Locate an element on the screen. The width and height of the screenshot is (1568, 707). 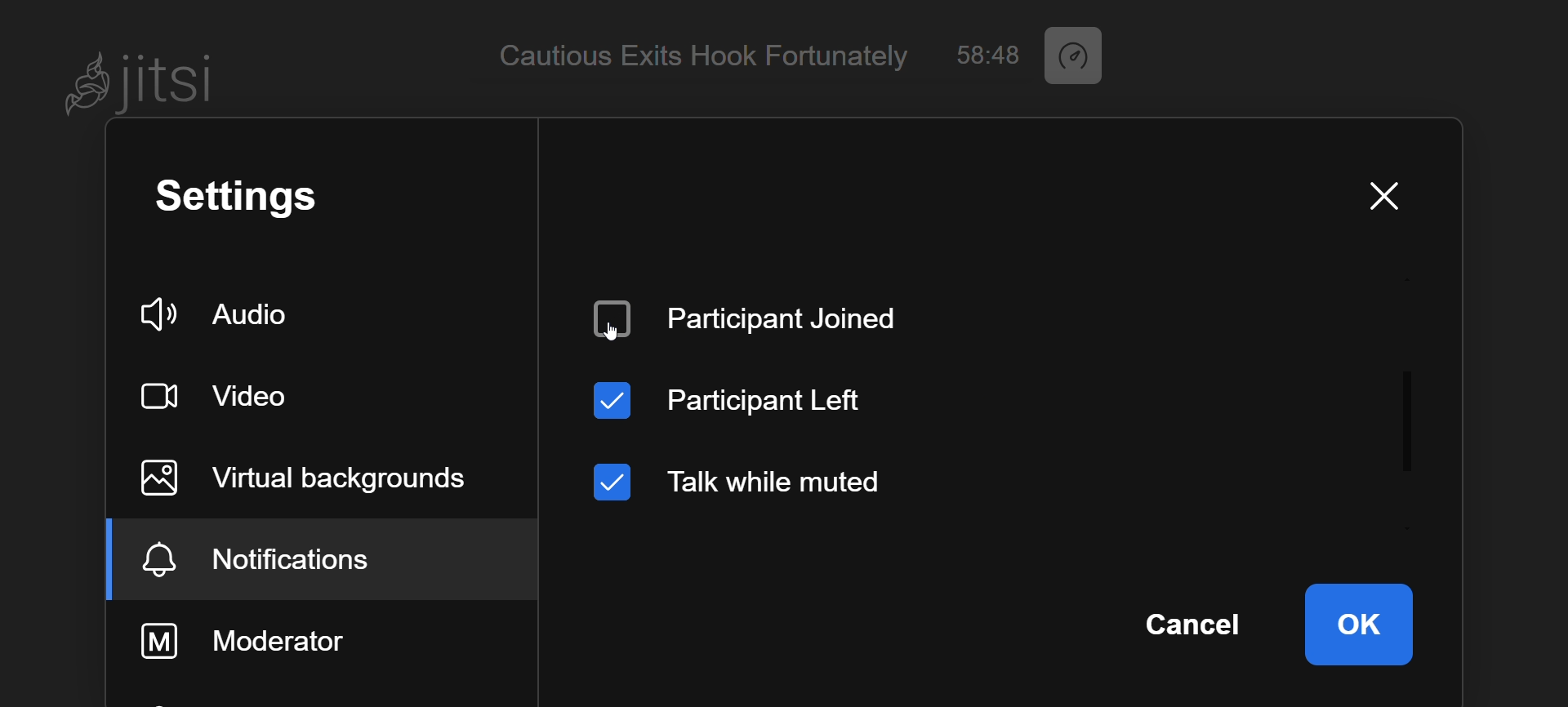
cursor is located at coordinates (612, 337).